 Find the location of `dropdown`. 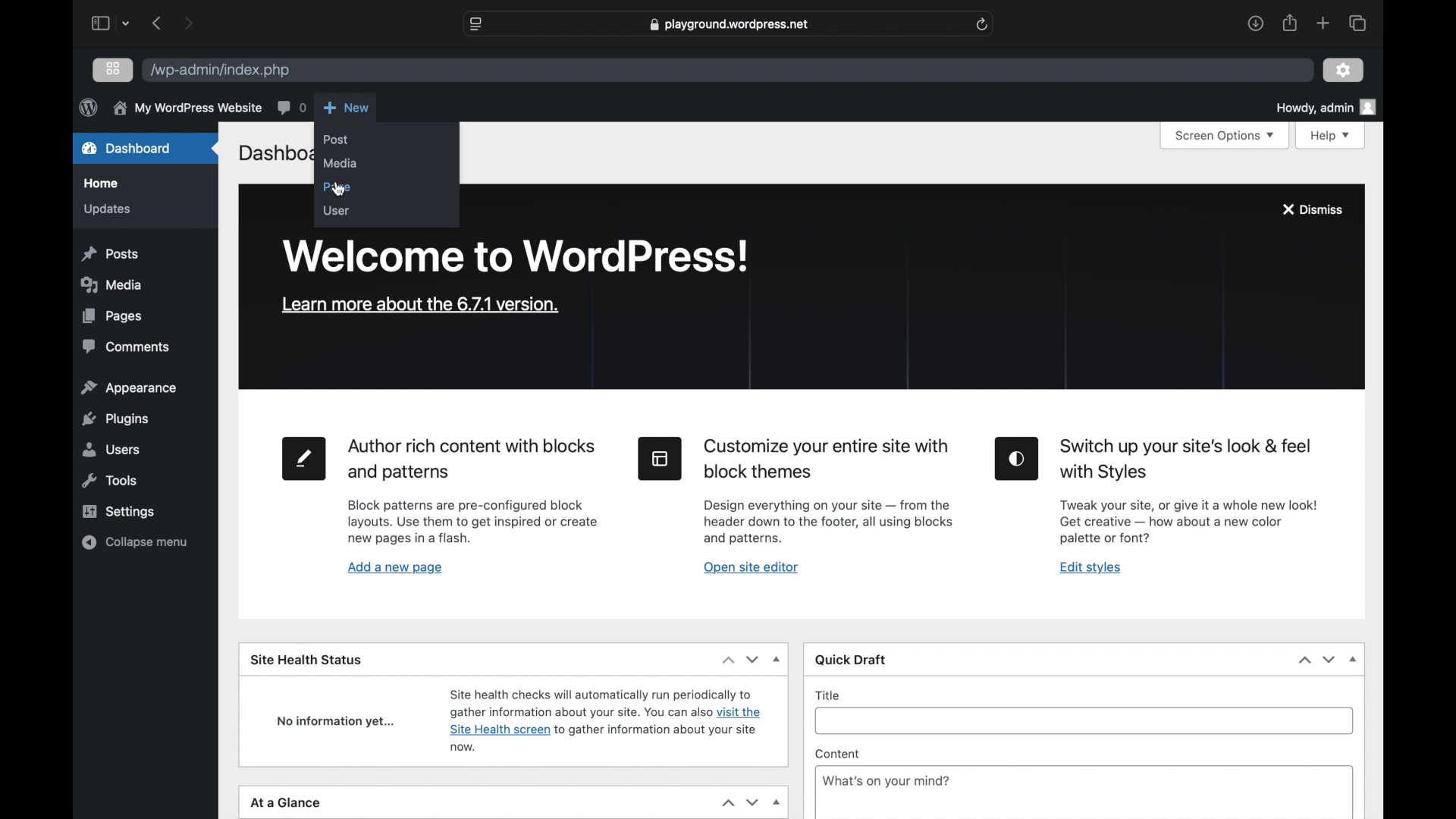

dropdown is located at coordinates (1354, 659).